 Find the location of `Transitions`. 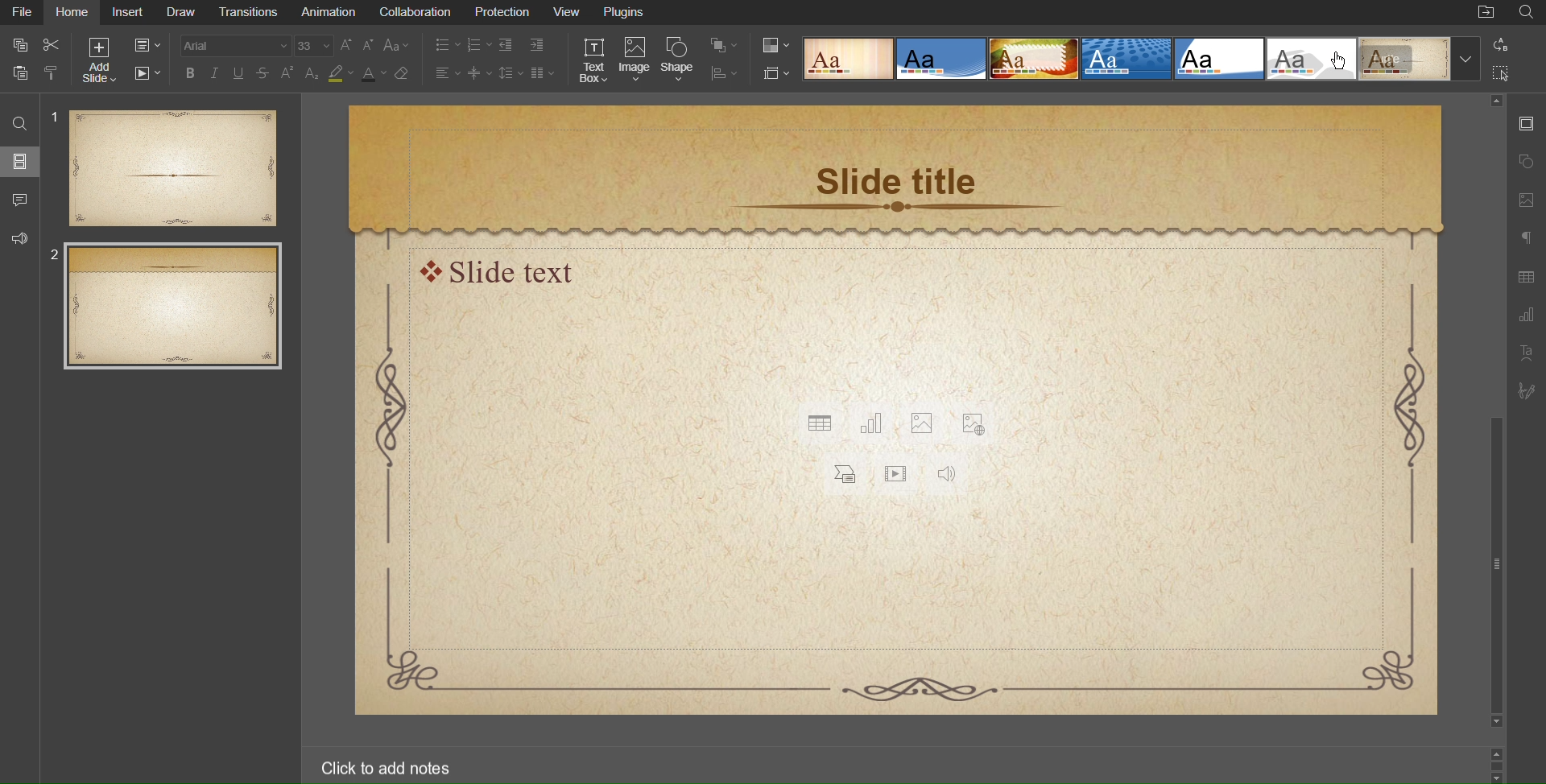

Transitions is located at coordinates (253, 13).